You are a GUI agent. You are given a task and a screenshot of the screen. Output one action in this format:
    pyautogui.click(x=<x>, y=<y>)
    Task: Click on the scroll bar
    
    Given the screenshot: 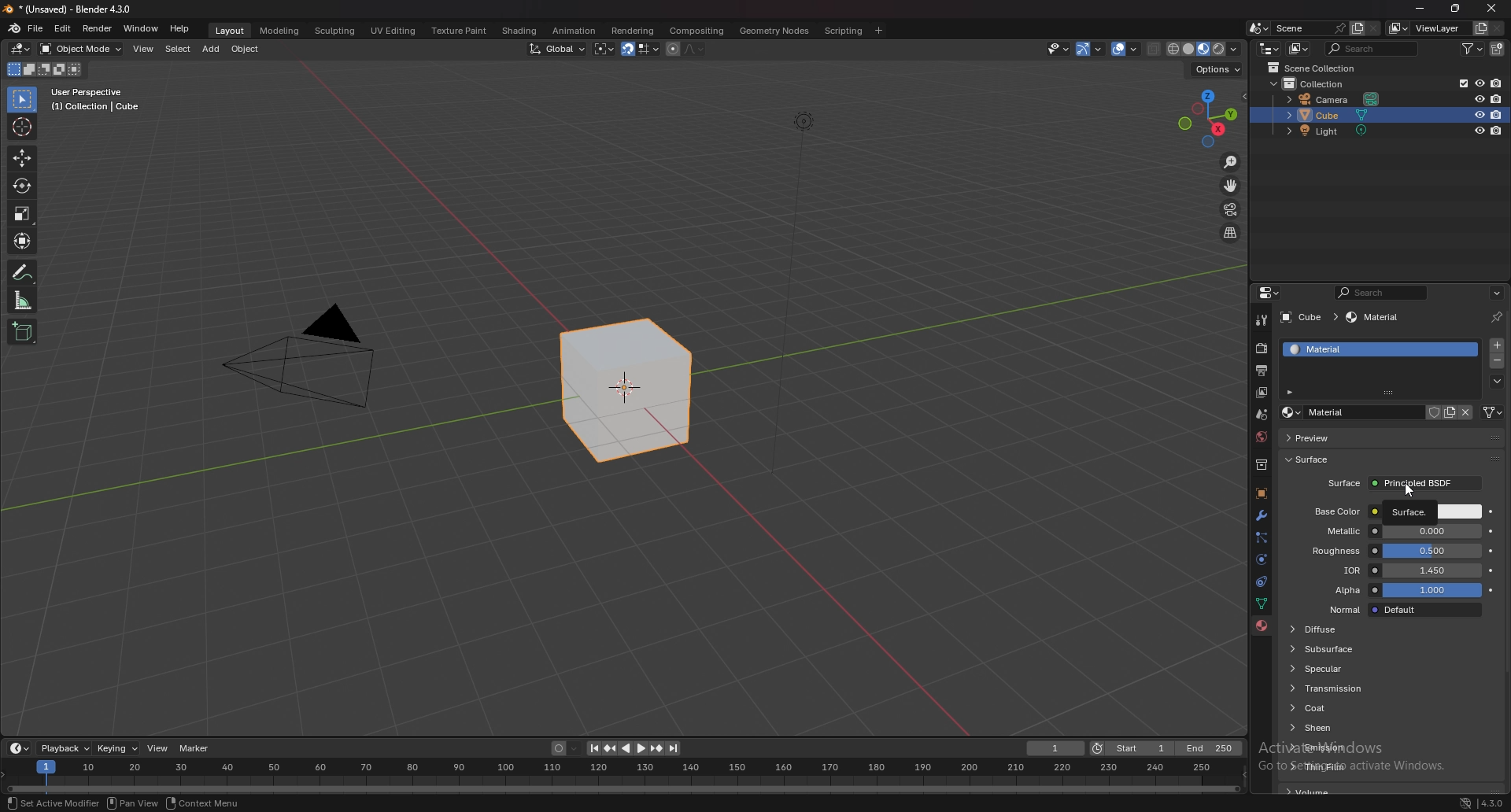 What is the action you would take?
    pyautogui.click(x=1505, y=533)
    